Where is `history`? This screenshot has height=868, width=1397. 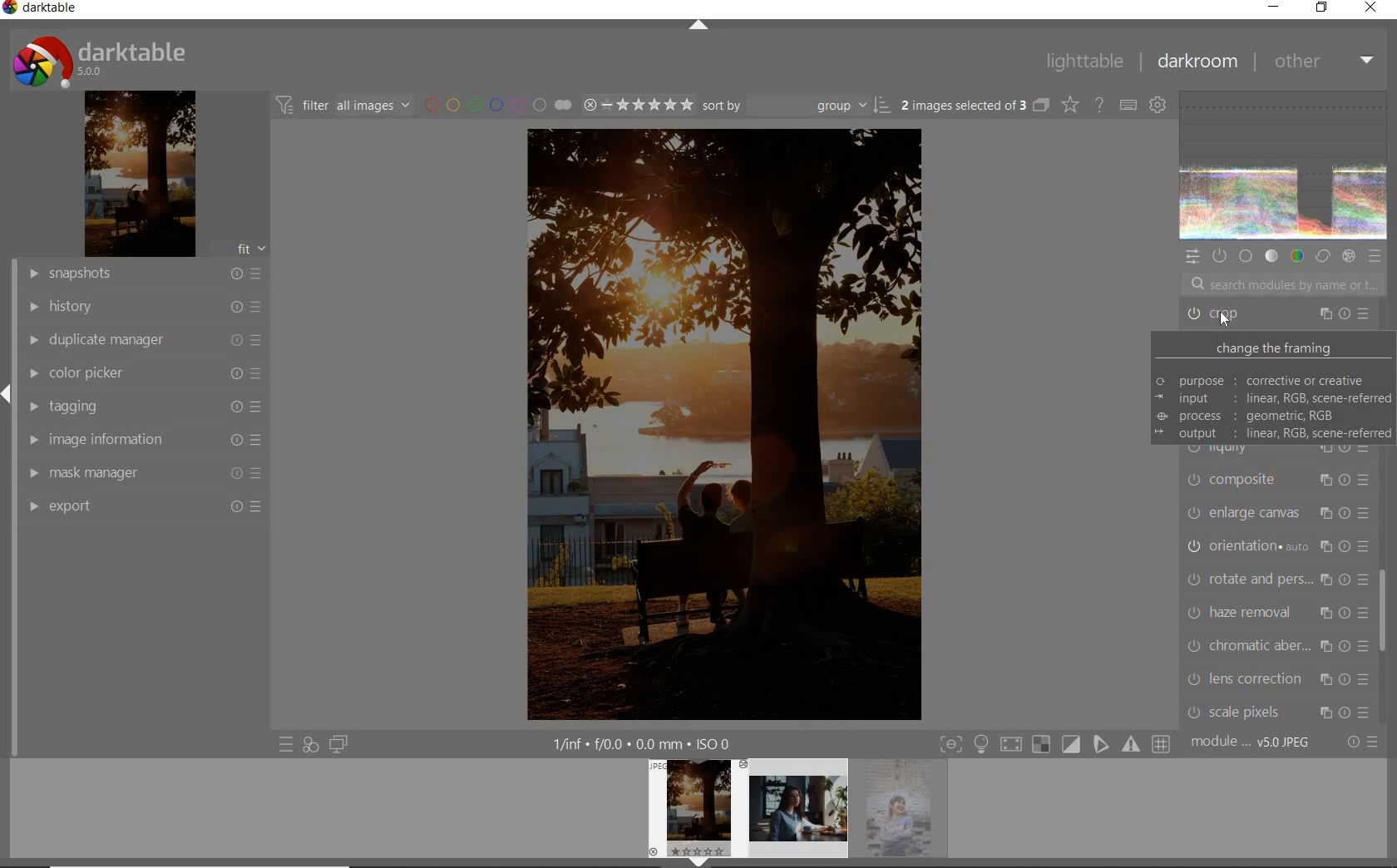
history is located at coordinates (146, 308).